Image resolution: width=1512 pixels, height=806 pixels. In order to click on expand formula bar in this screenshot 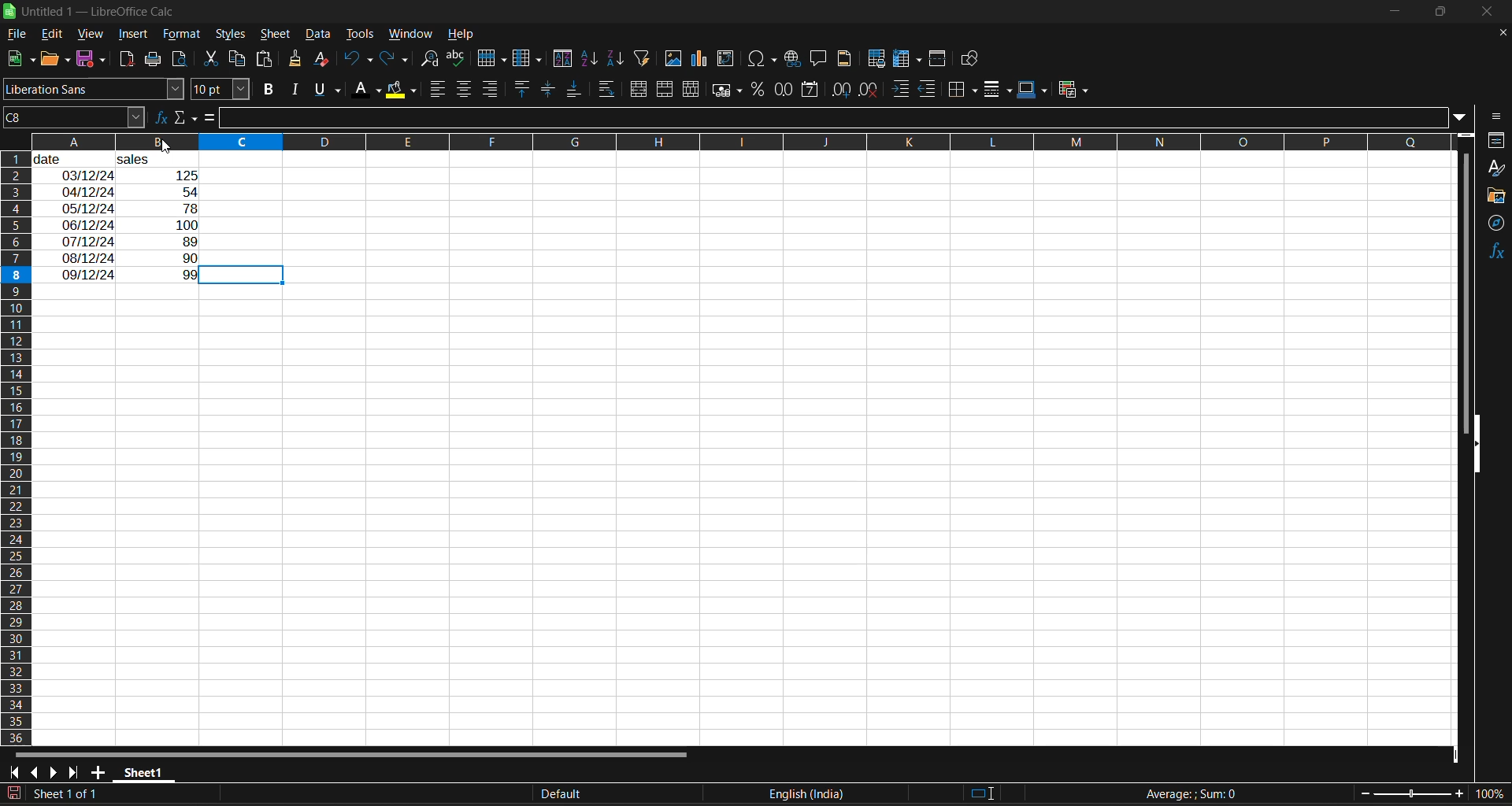, I will do `click(1466, 119)`.